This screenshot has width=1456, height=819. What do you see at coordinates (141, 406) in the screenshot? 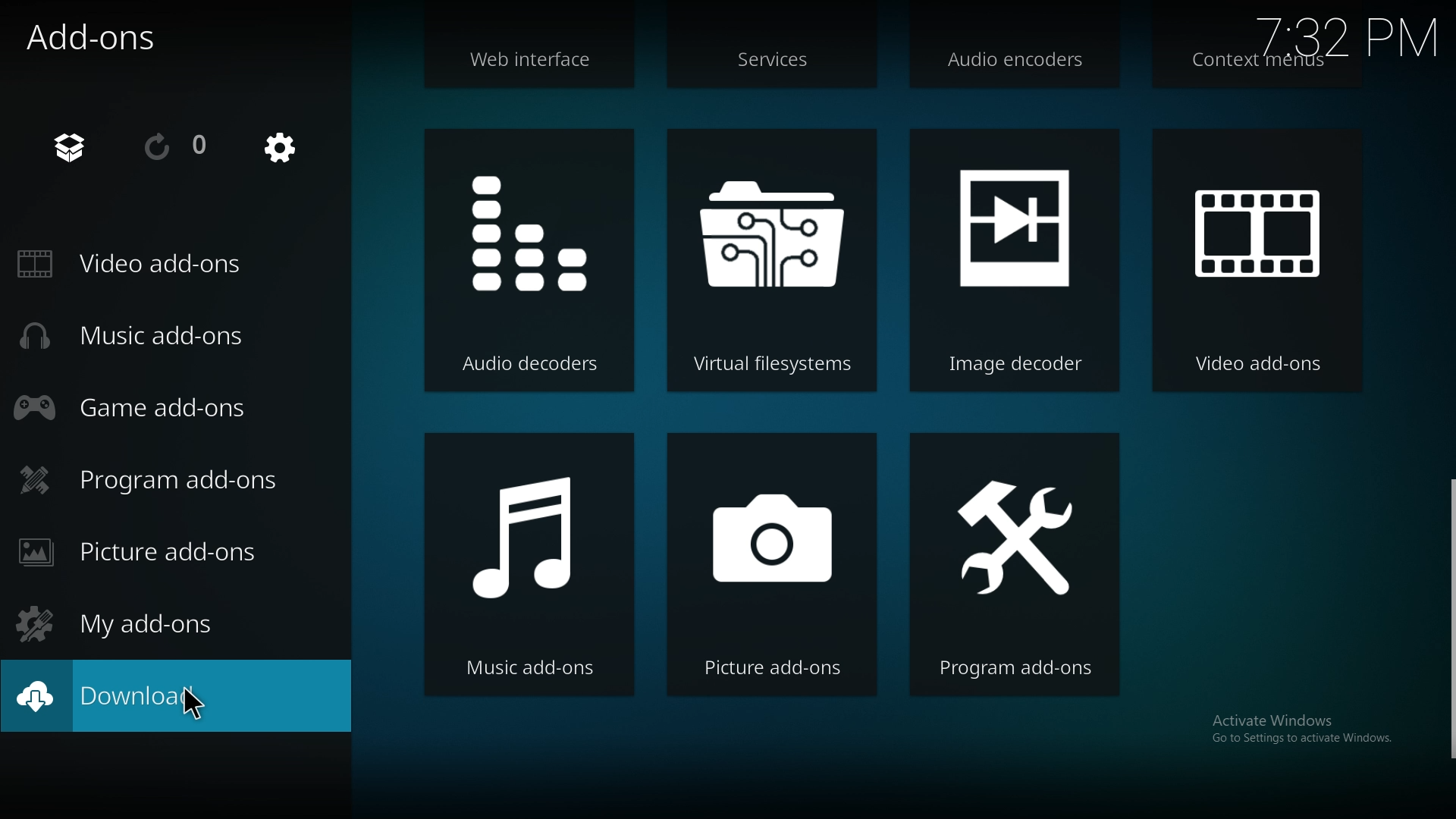
I see `game add ons` at bounding box center [141, 406].